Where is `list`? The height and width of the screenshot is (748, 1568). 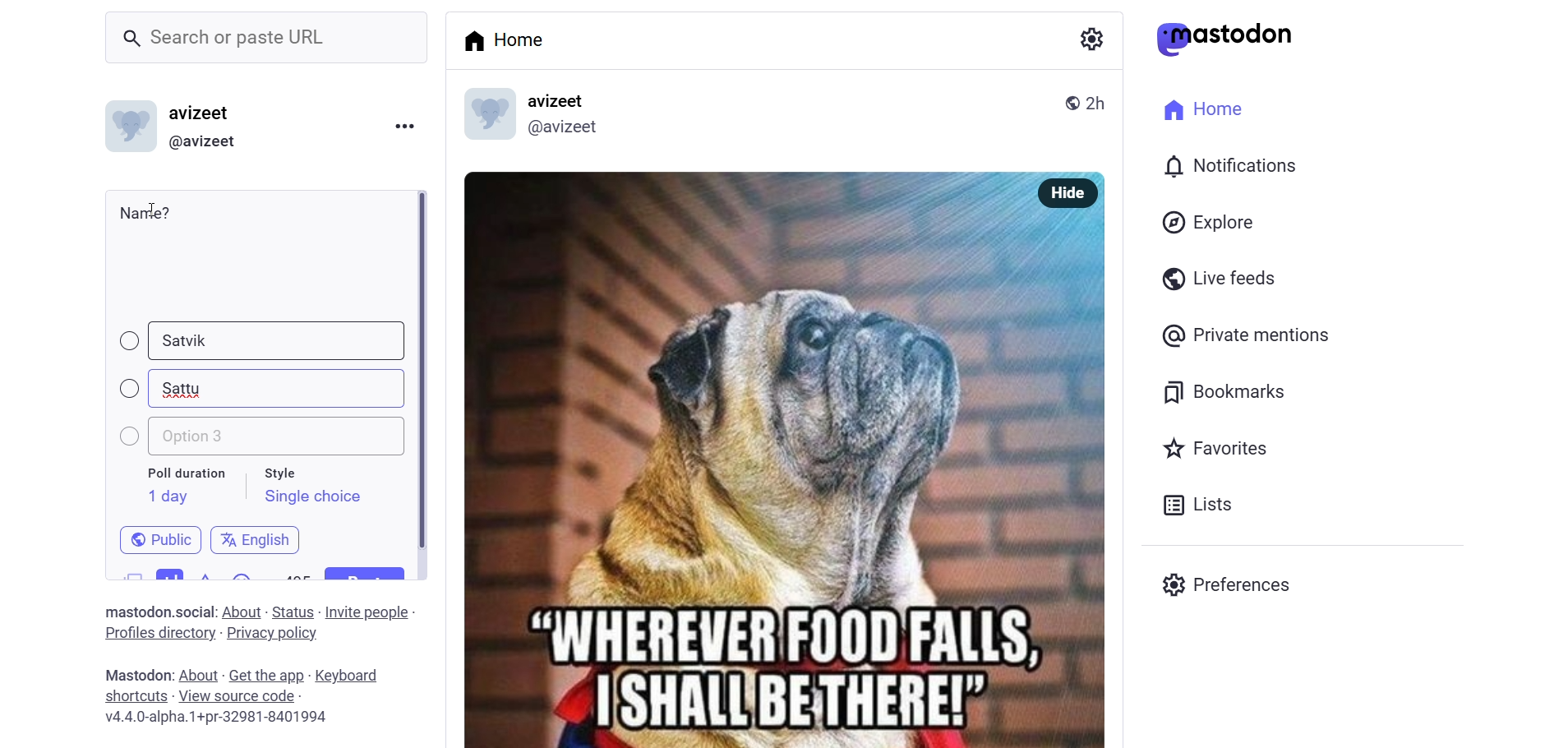
list is located at coordinates (1193, 505).